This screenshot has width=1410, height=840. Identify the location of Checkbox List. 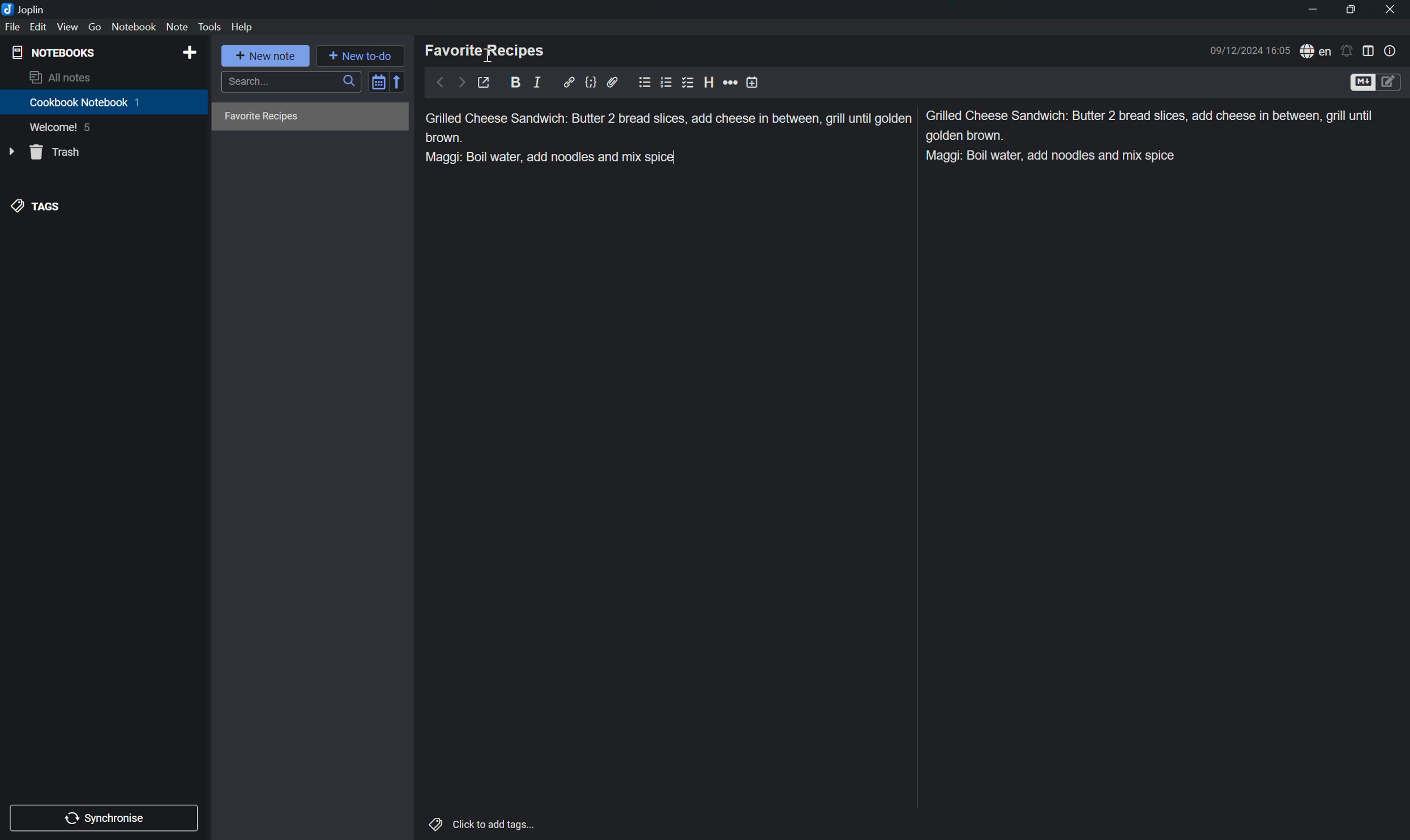
(689, 84).